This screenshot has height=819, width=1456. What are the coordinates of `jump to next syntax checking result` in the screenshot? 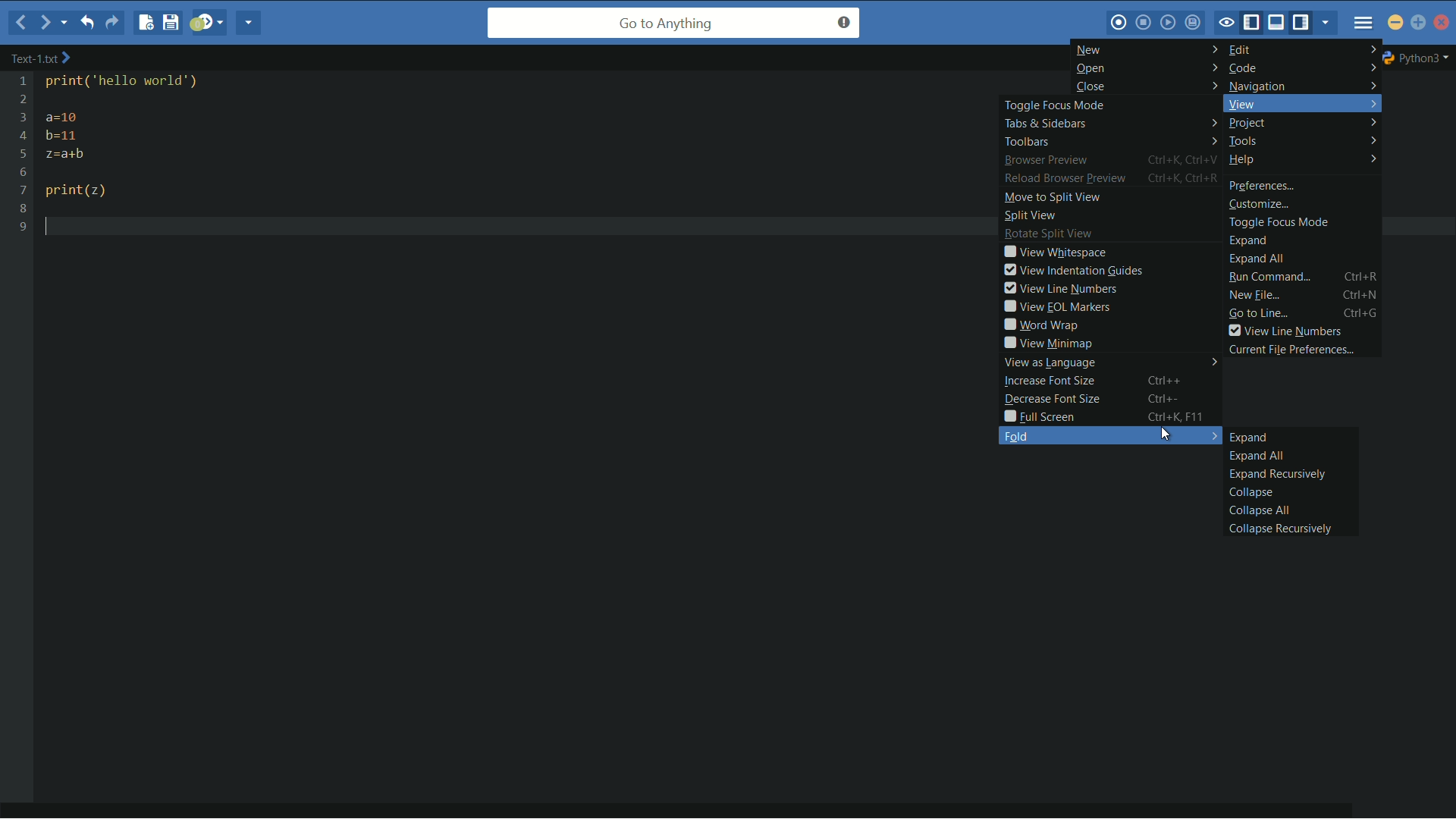 It's located at (208, 24).